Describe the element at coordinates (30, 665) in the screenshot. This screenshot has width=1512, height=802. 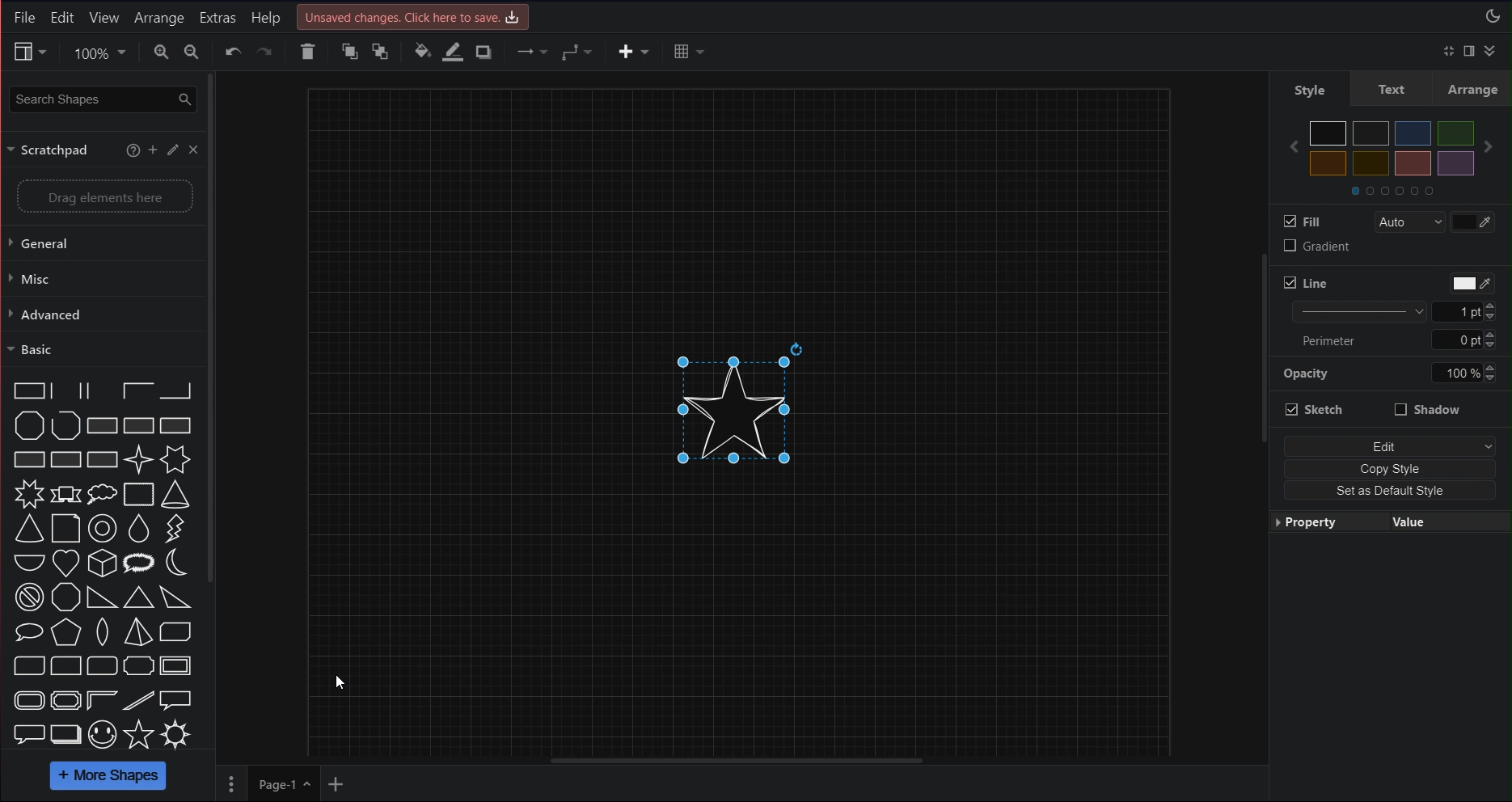
I see `diagonal rounded rectangle` at that location.